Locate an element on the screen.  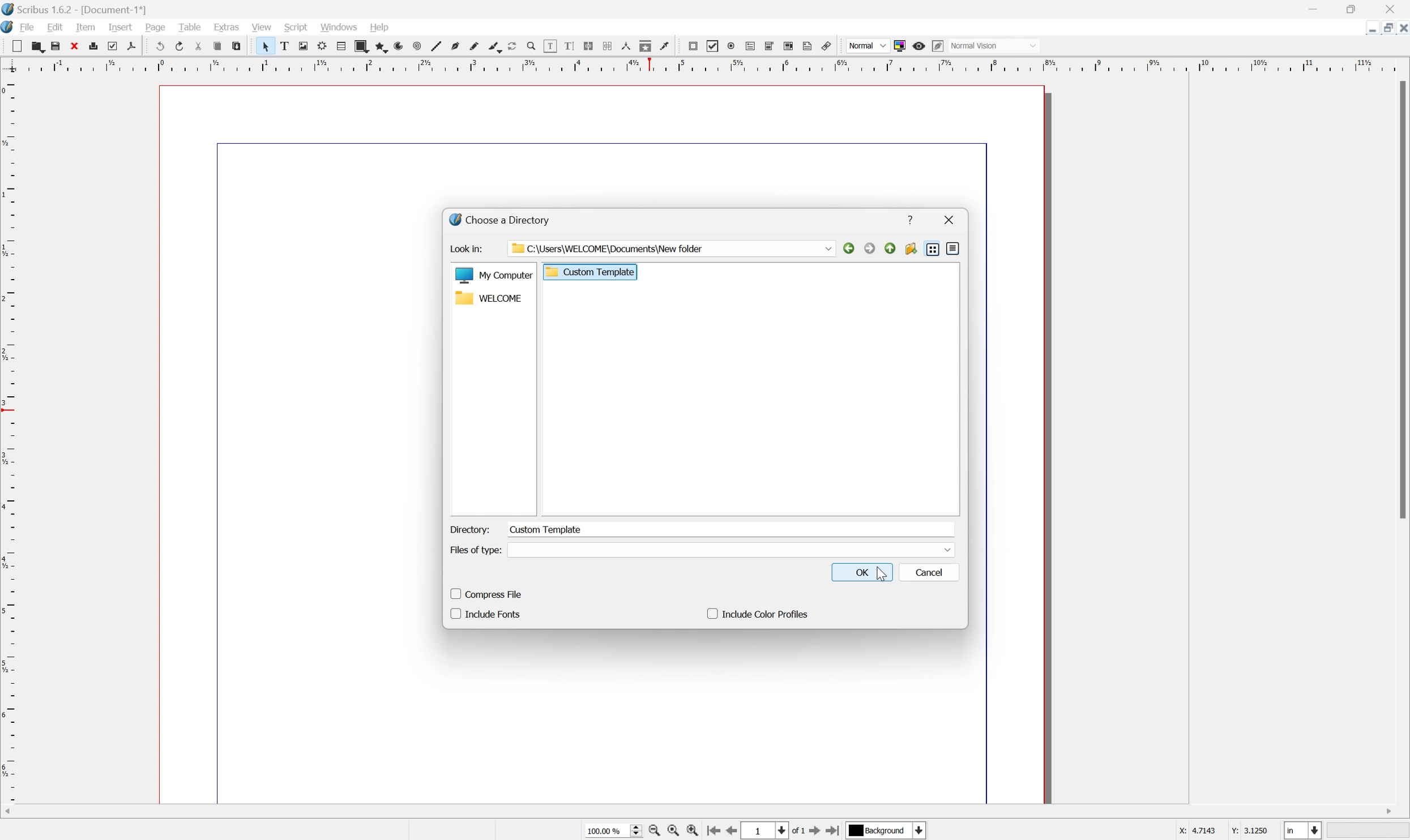
copy is located at coordinates (36, 44).